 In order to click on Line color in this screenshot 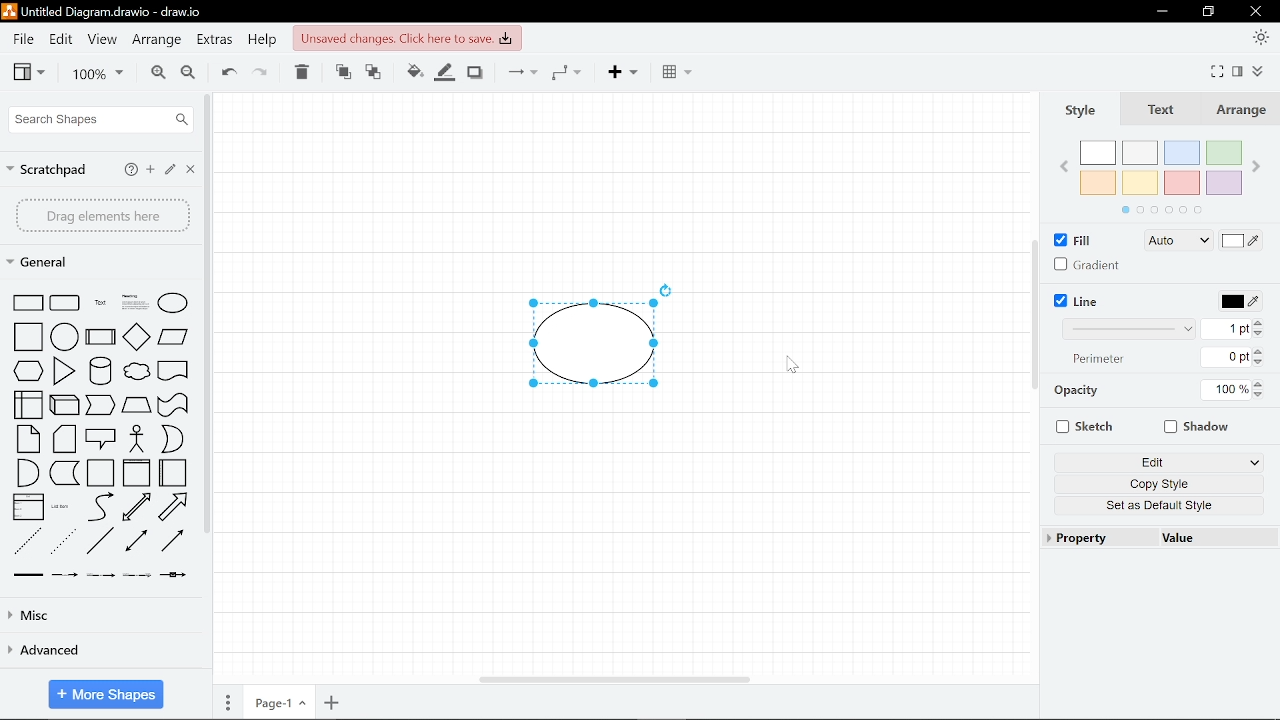, I will do `click(1234, 300)`.